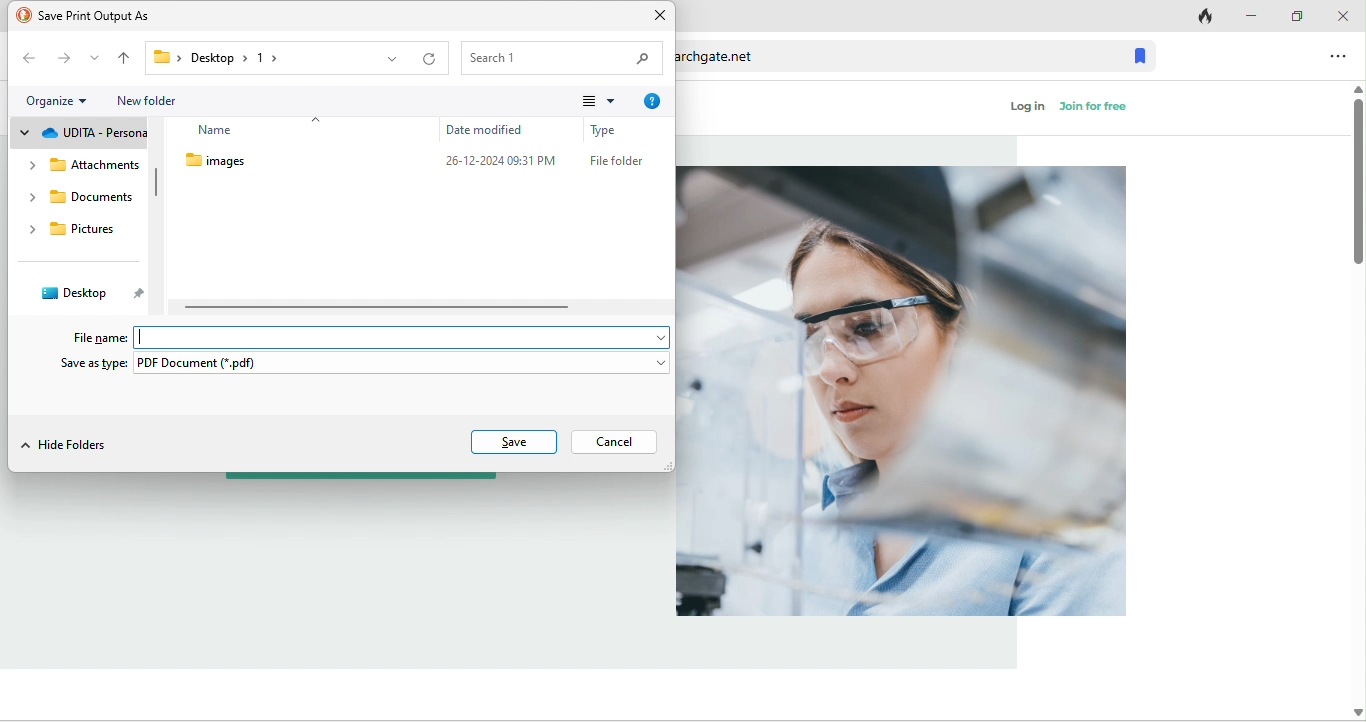 The height and width of the screenshot is (722, 1366). I want to click on typing, so click(406, 336).